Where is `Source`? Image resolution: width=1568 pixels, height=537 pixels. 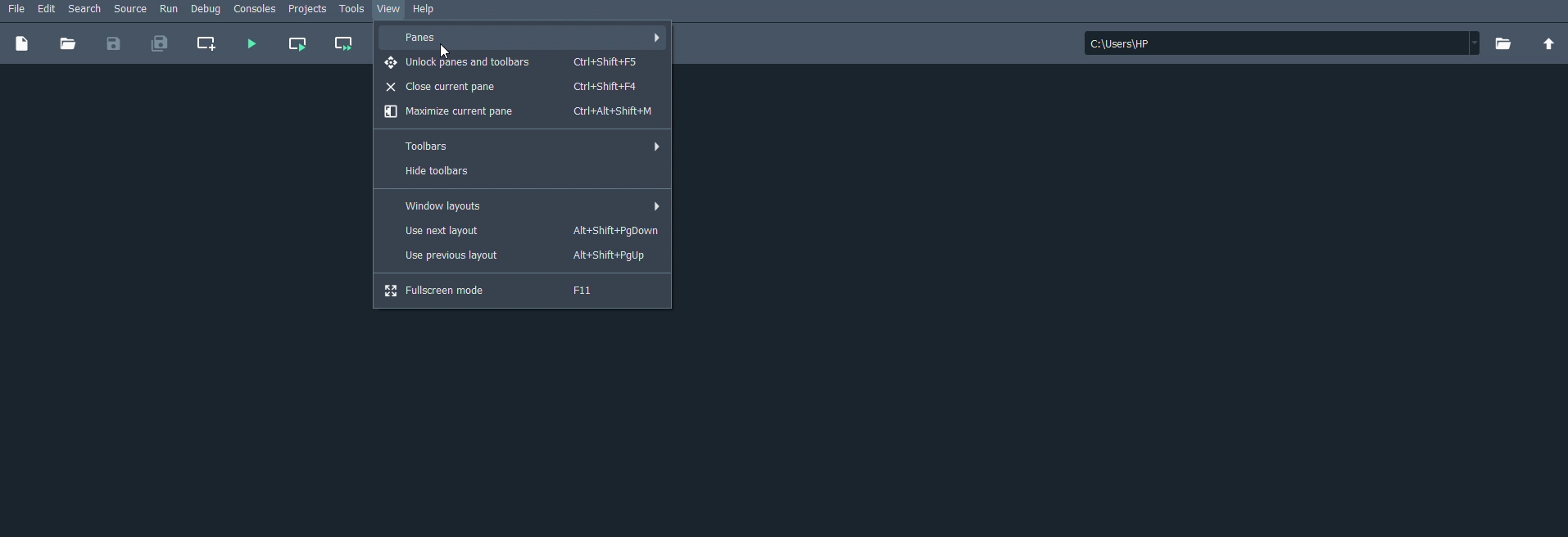
Source is located at coordinates (131, 10).